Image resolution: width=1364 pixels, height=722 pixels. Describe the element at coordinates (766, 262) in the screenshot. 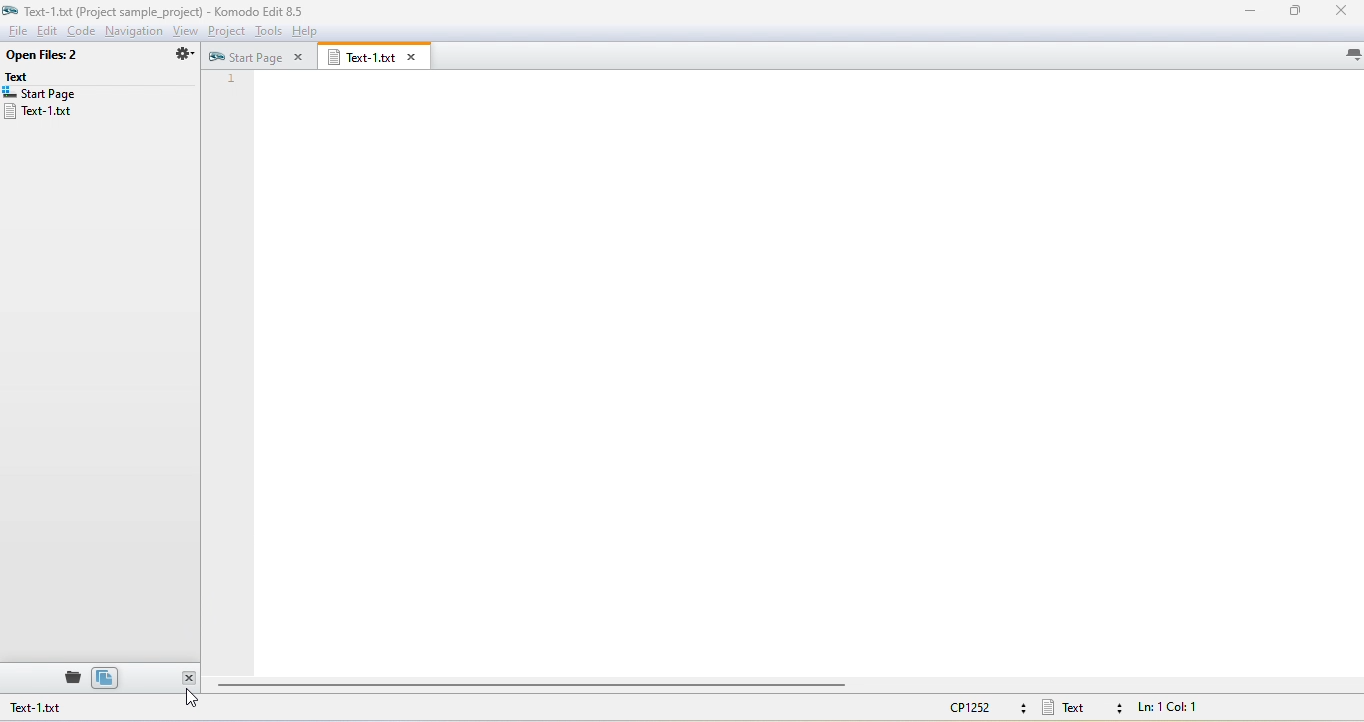

I see `editor area (empty)` at that location.